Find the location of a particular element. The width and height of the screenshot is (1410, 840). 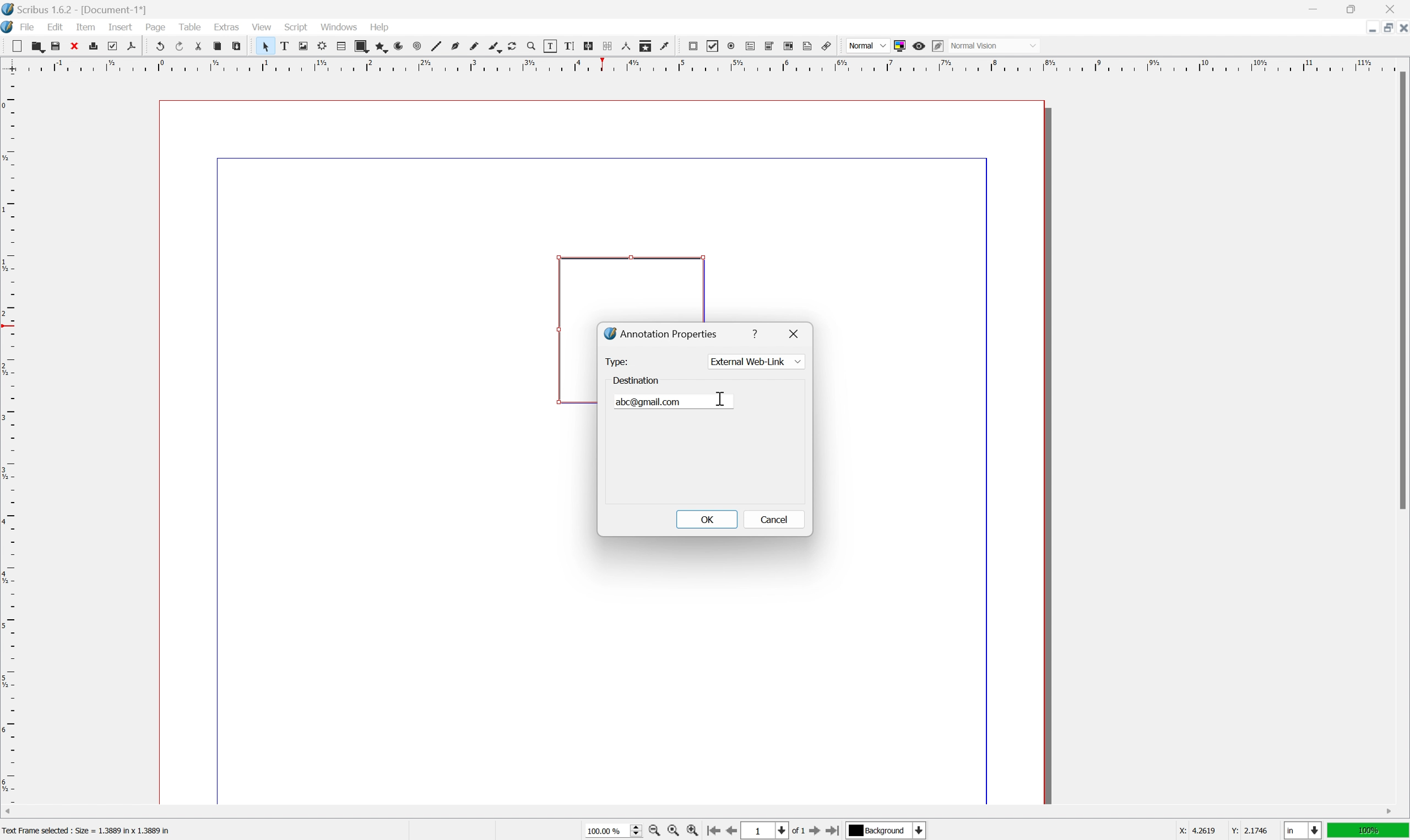

edit in preview mode is located at coordinates (938, 46).